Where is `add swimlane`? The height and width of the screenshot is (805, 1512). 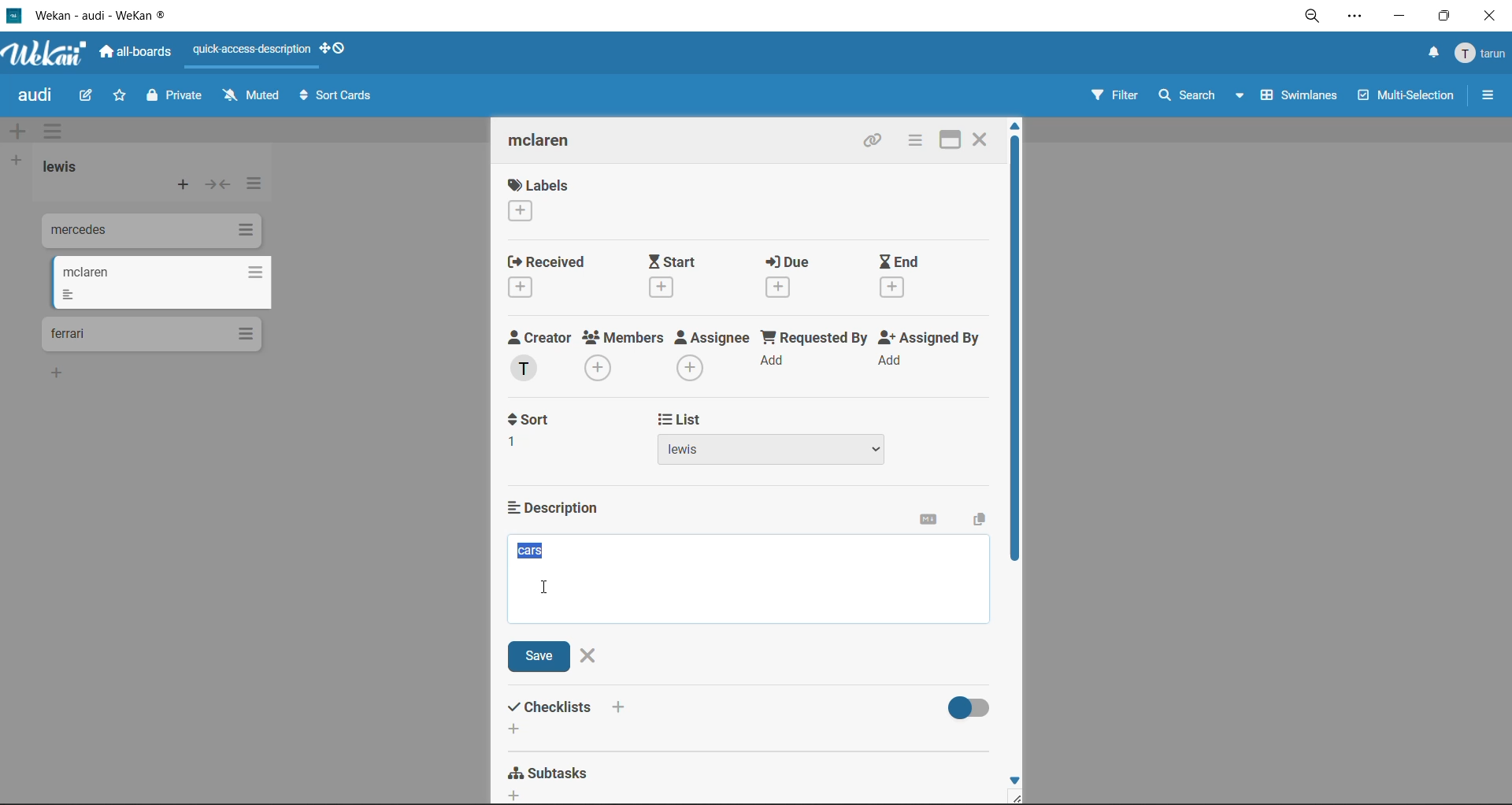
add swimlane is located at coordinates (21, 132).